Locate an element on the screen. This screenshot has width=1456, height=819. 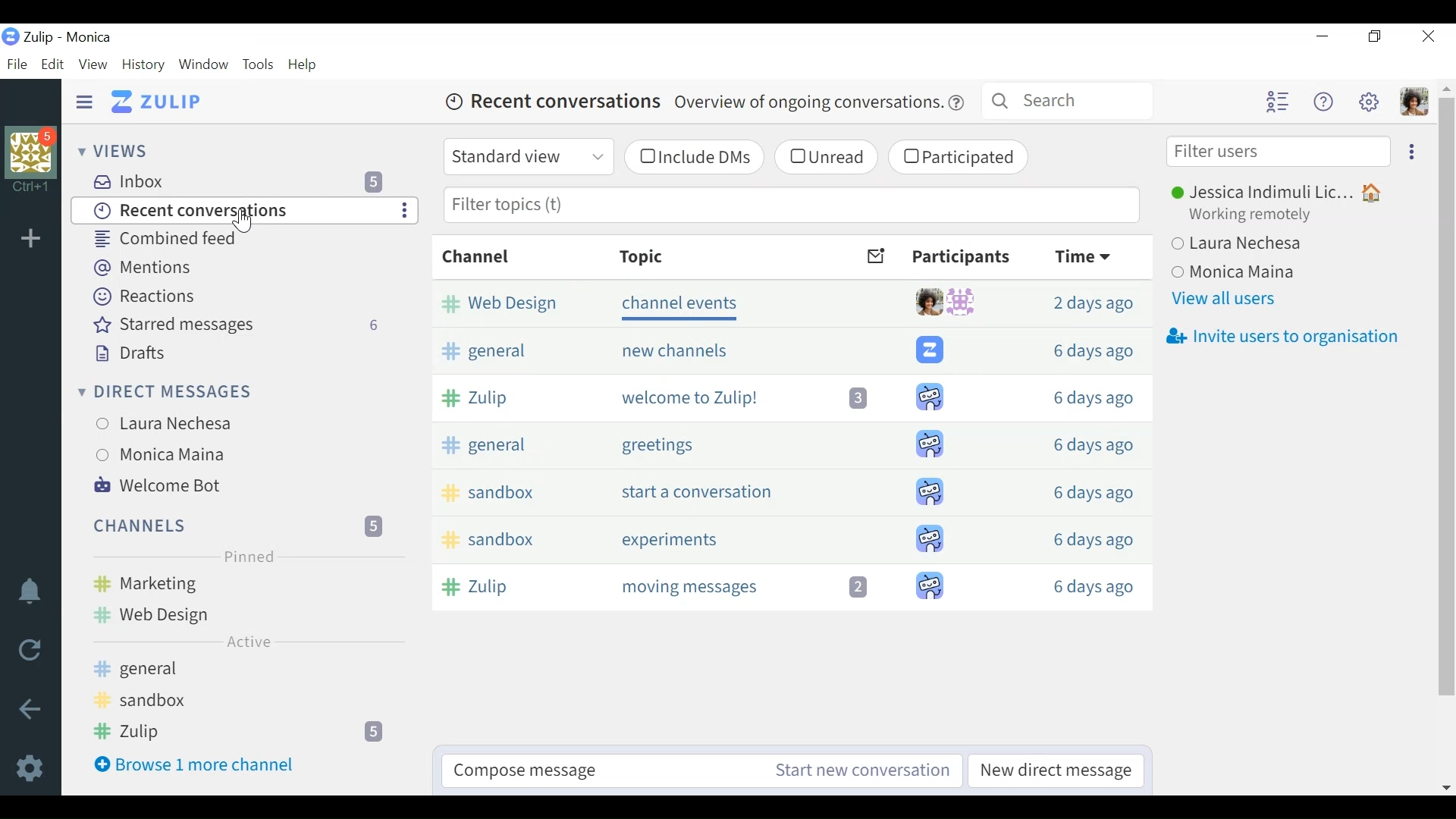
Reload is located at coordinates (30, 649).